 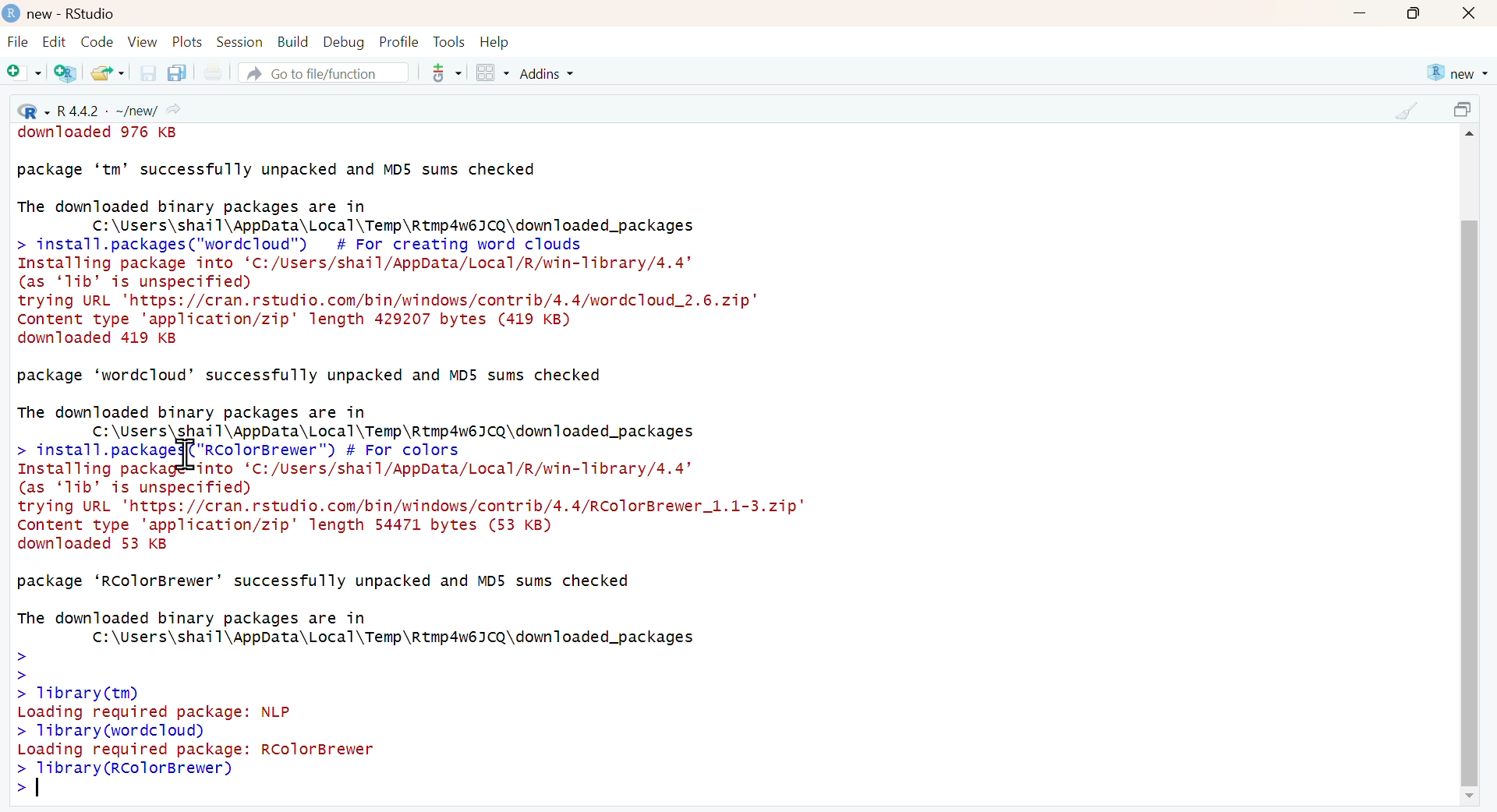 I want to click on new - RStudio, so click(x=75, y=14).